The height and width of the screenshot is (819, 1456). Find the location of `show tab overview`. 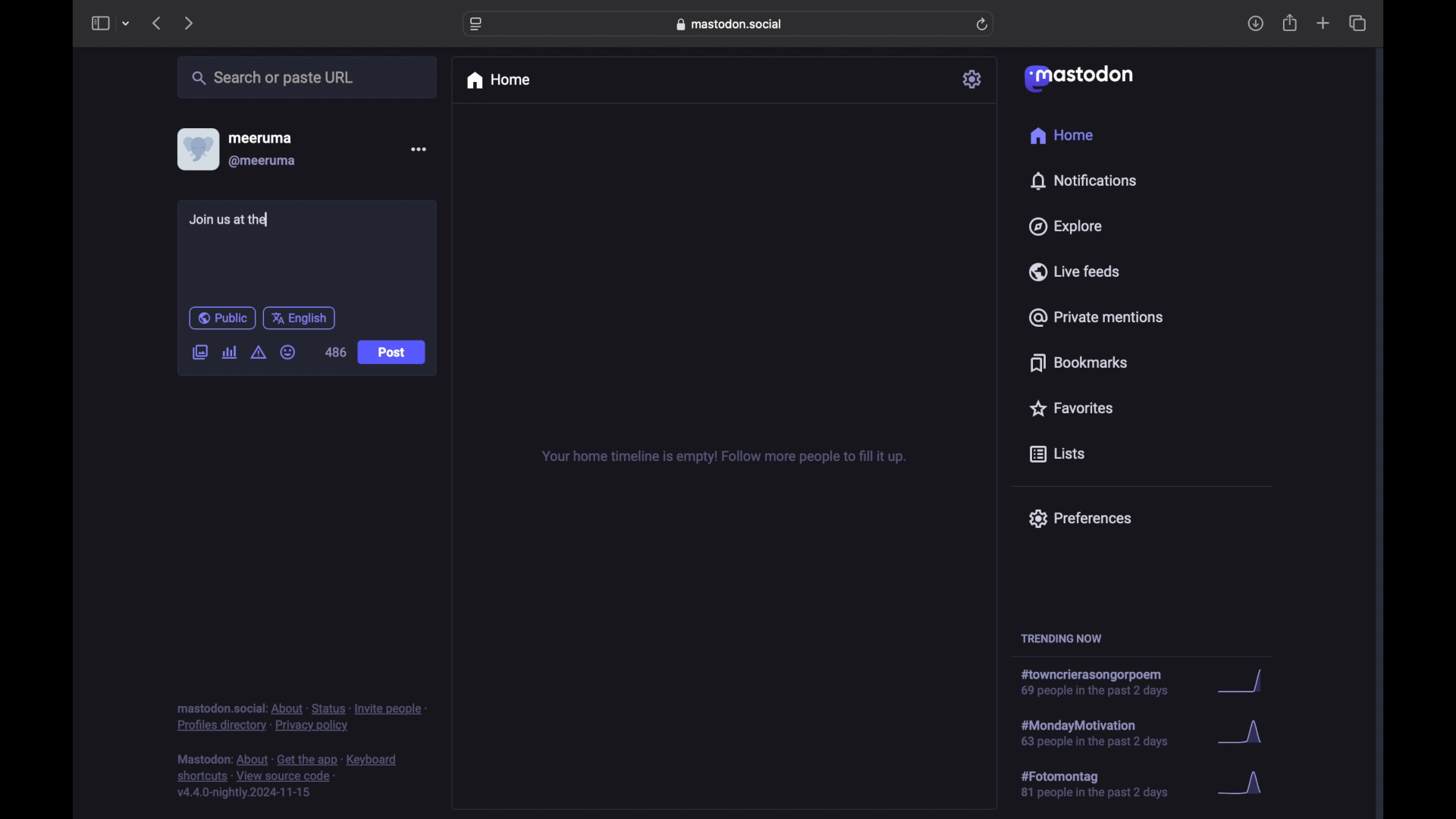

show tab overview is located at coordinates (1357, 24).